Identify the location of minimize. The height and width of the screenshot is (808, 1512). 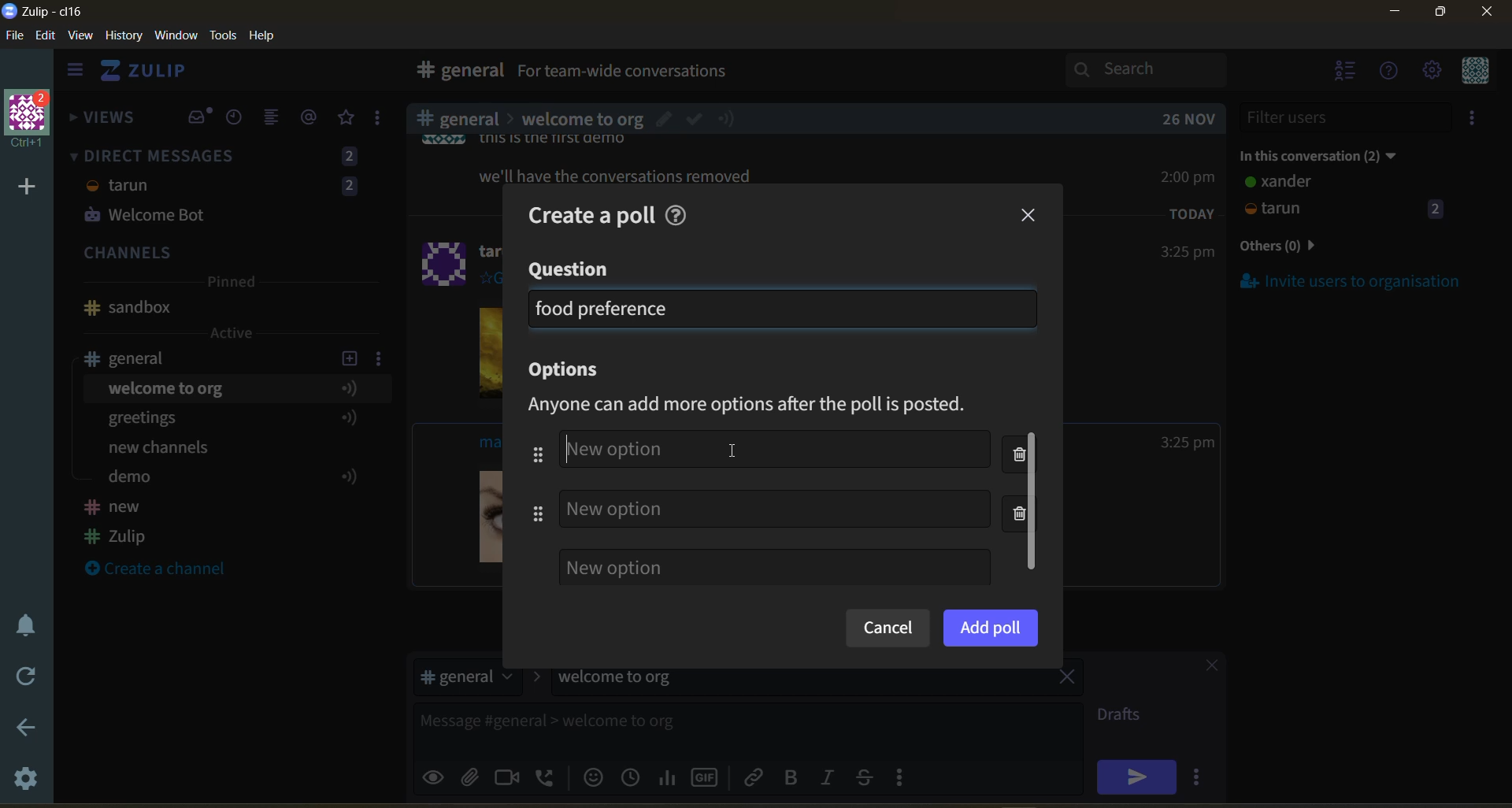
(1395, 14).